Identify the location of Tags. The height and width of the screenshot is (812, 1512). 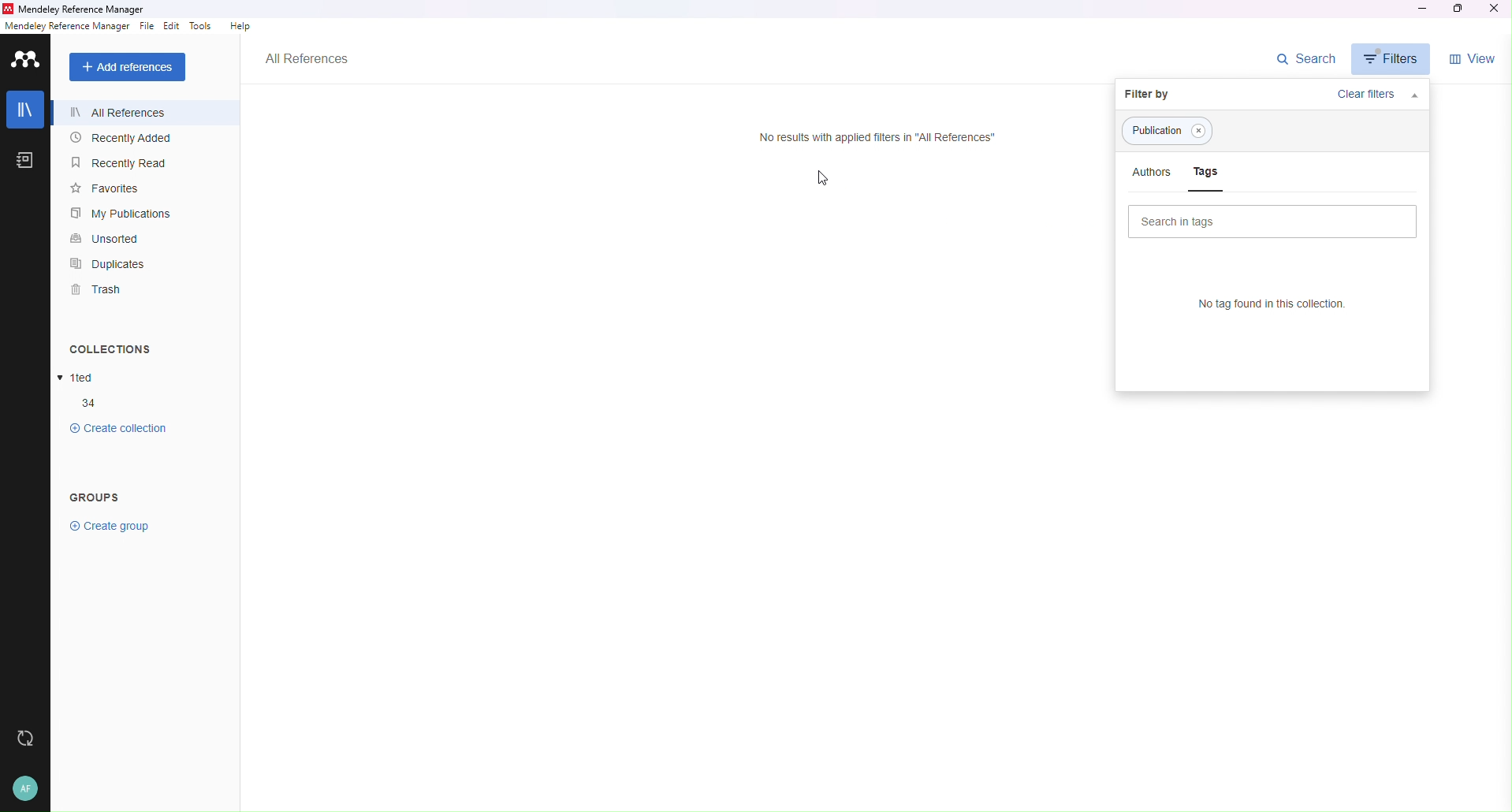
(1208, 177).